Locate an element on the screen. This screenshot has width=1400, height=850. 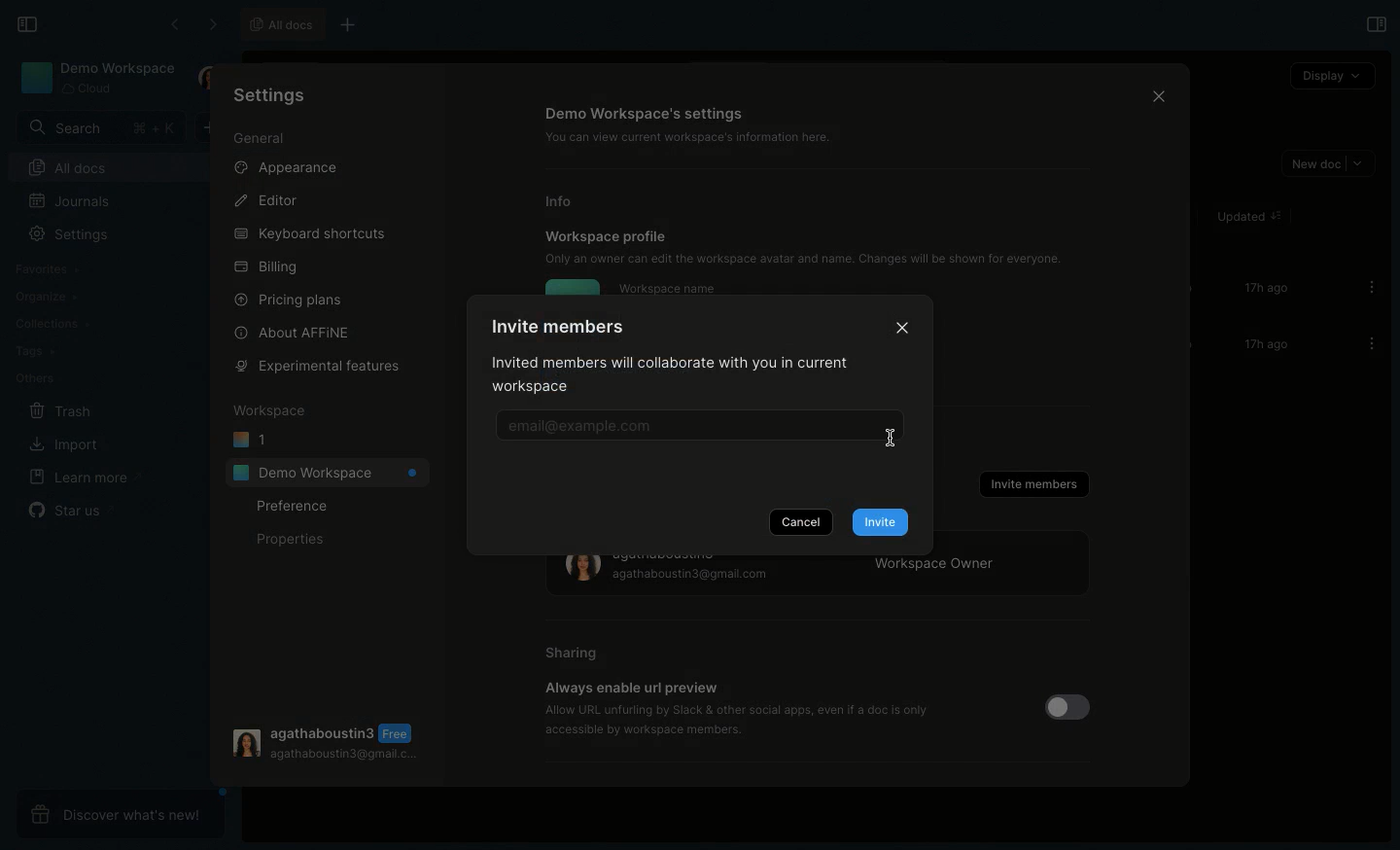
Invite members is located at coordinates (1032, 484).